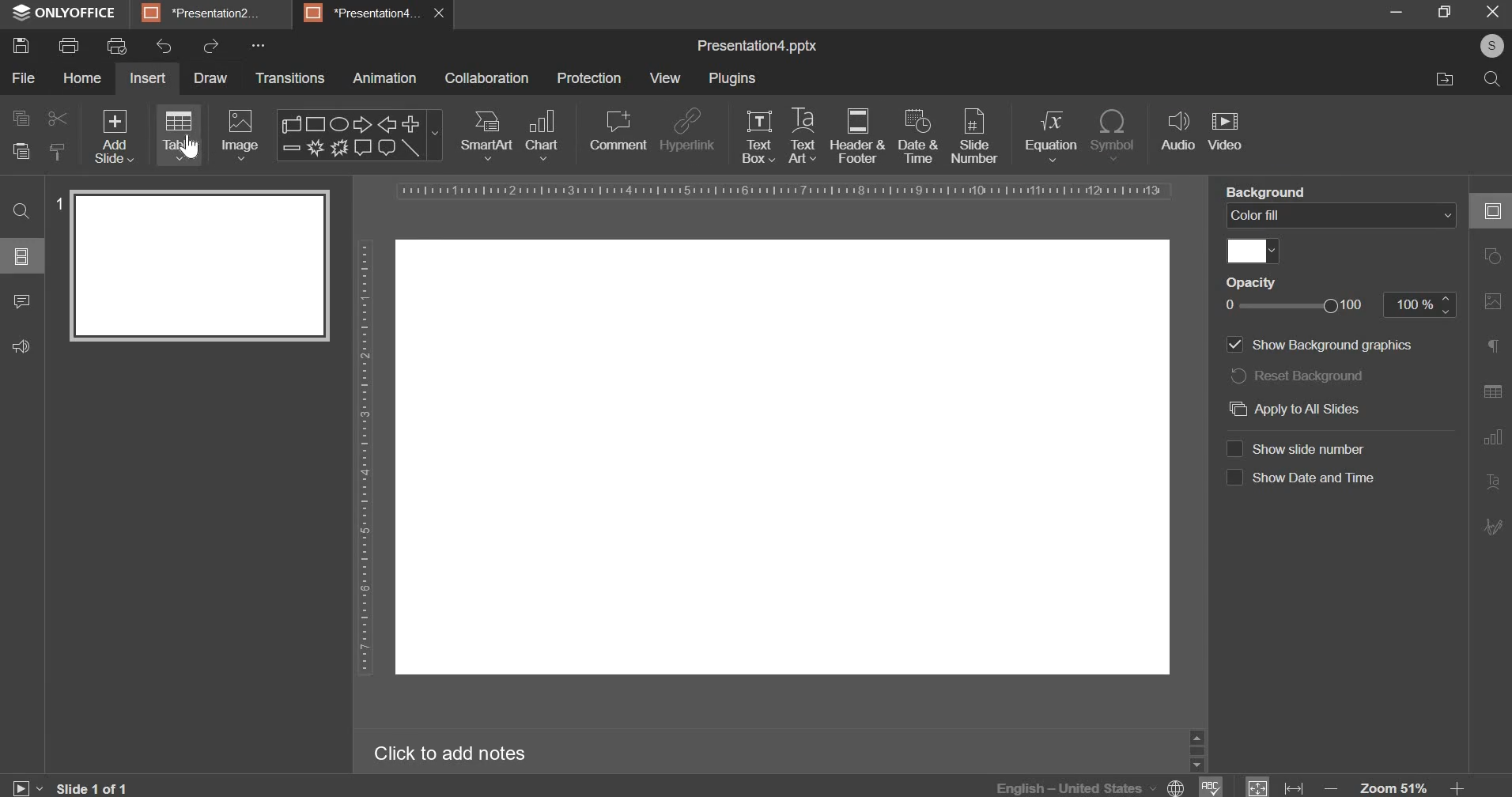 This screenshot has height=797, width=1512. Describe the element at coordinates (1255, 252) in the screenshot. I see `fill color` at that location.